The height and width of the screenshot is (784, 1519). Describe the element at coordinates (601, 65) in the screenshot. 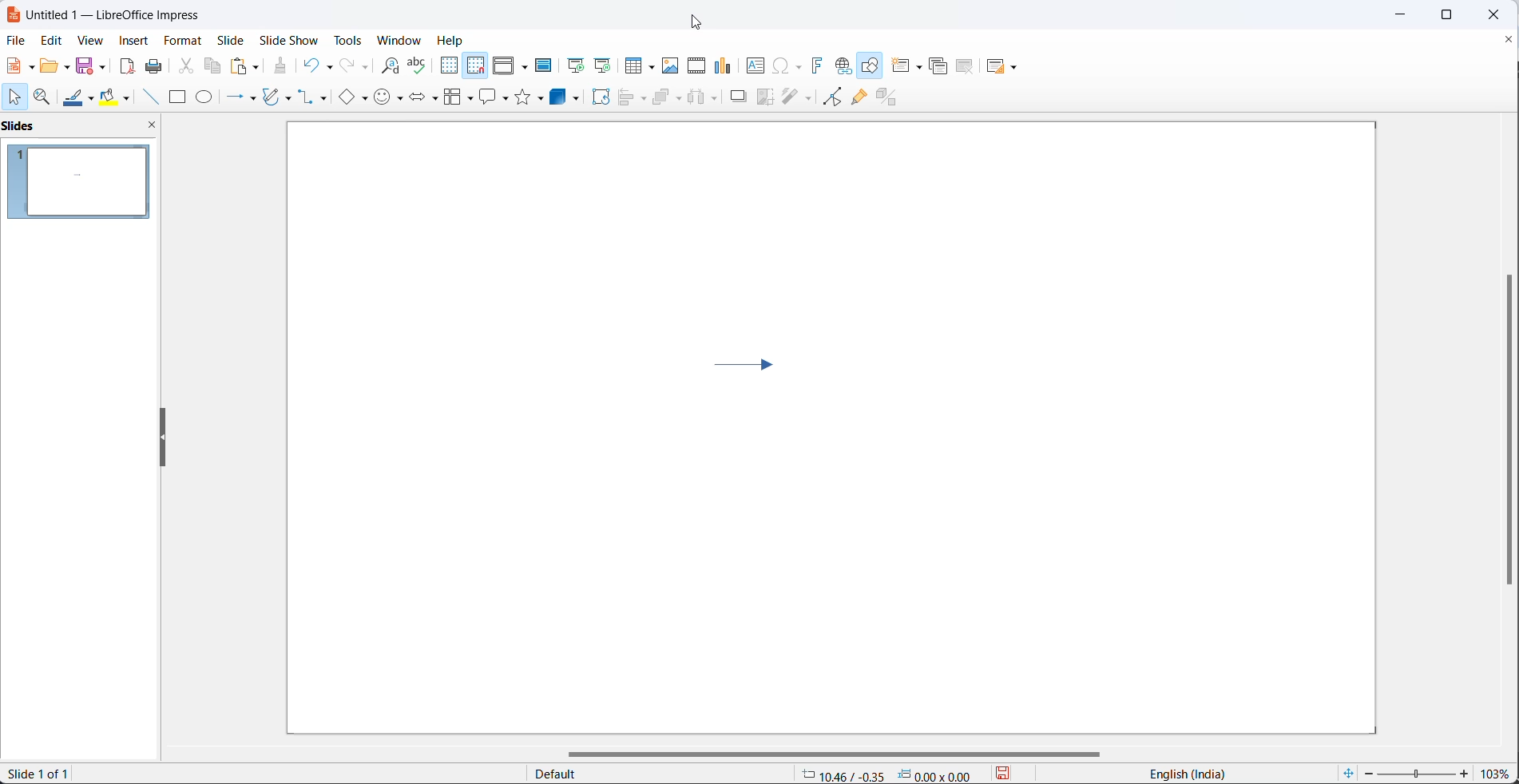

I see `start from current slide` at that location.